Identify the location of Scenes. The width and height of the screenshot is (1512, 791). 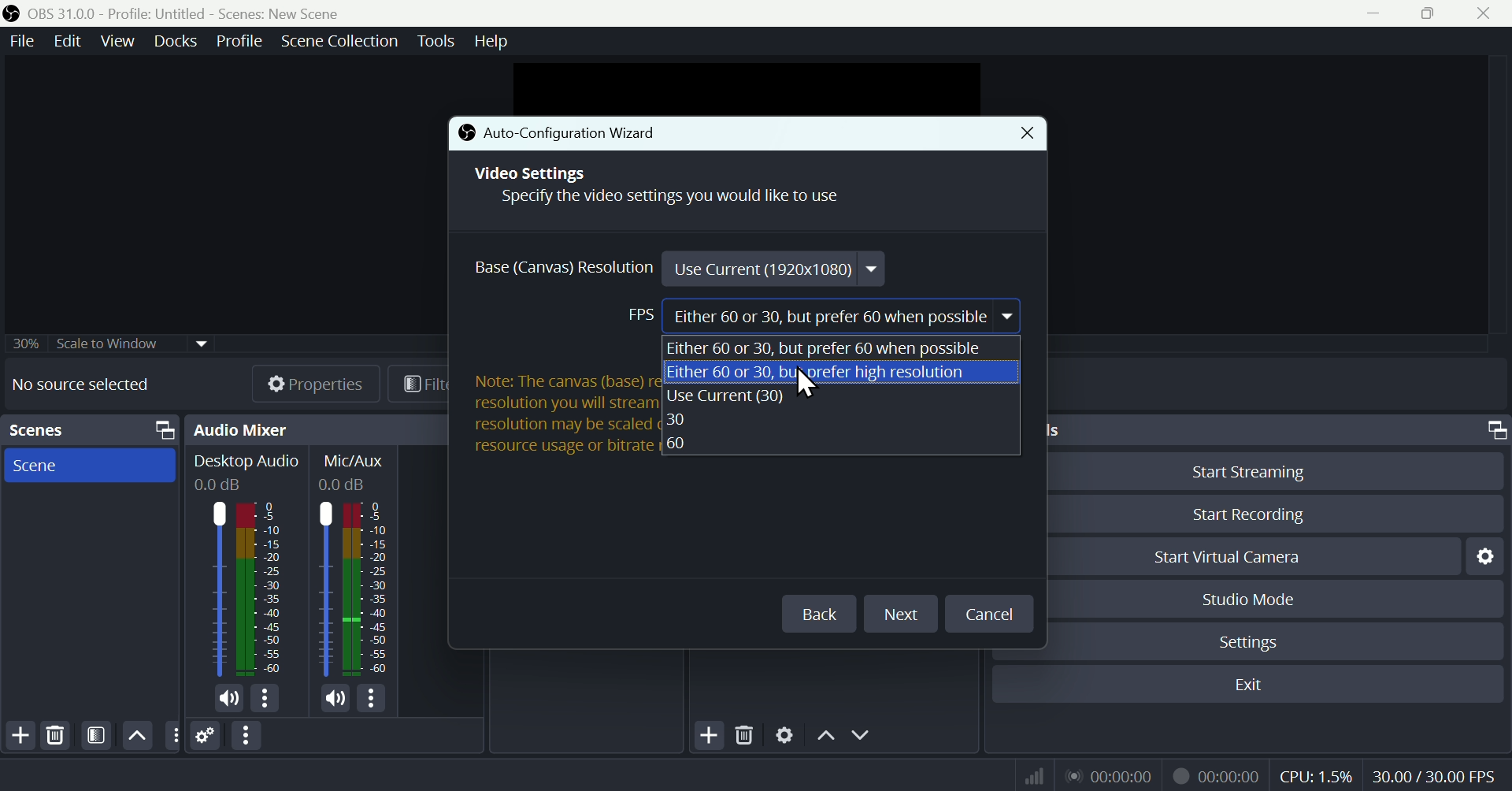
(36, 429).